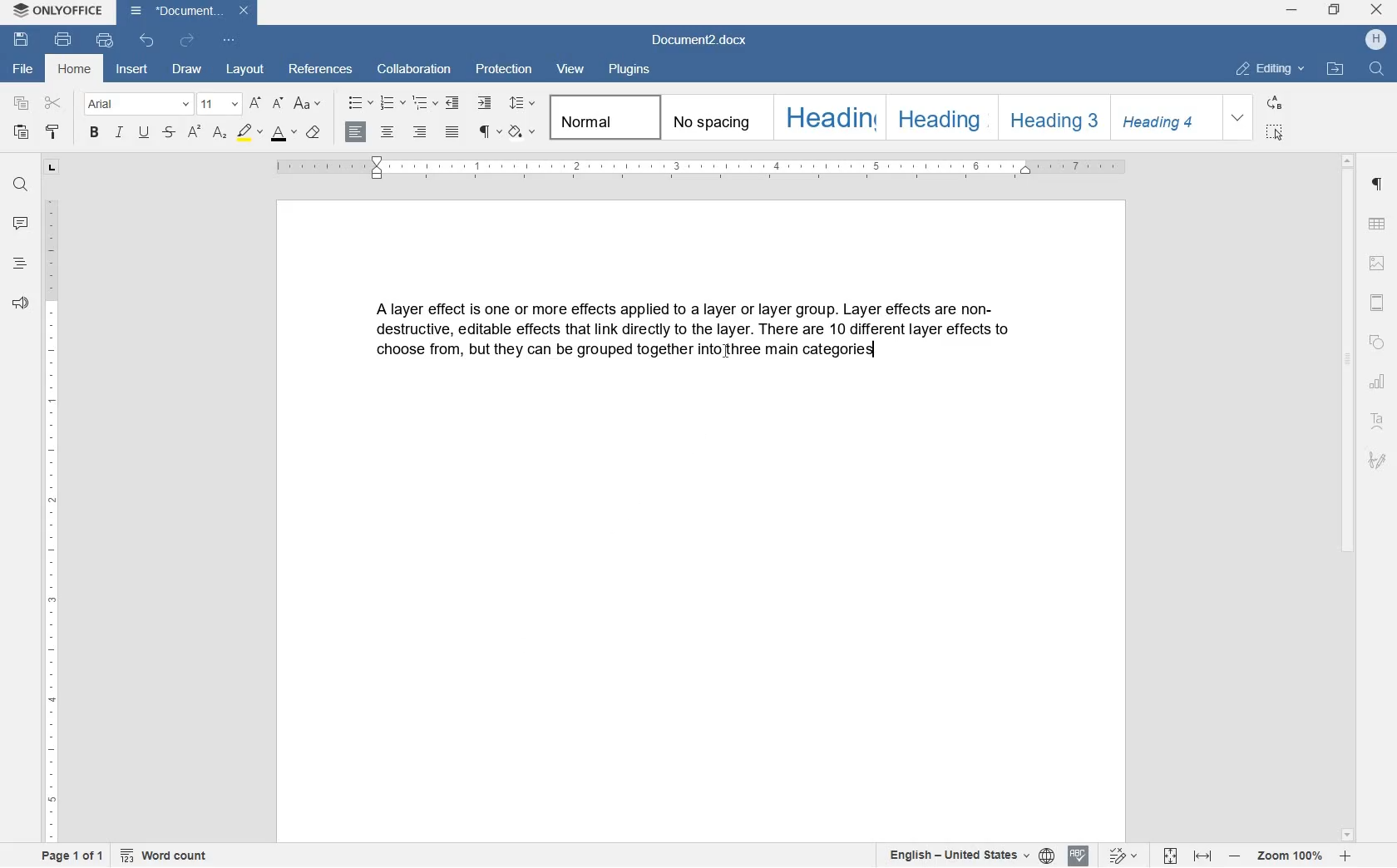  I want to click on italic, so click(121, 135).